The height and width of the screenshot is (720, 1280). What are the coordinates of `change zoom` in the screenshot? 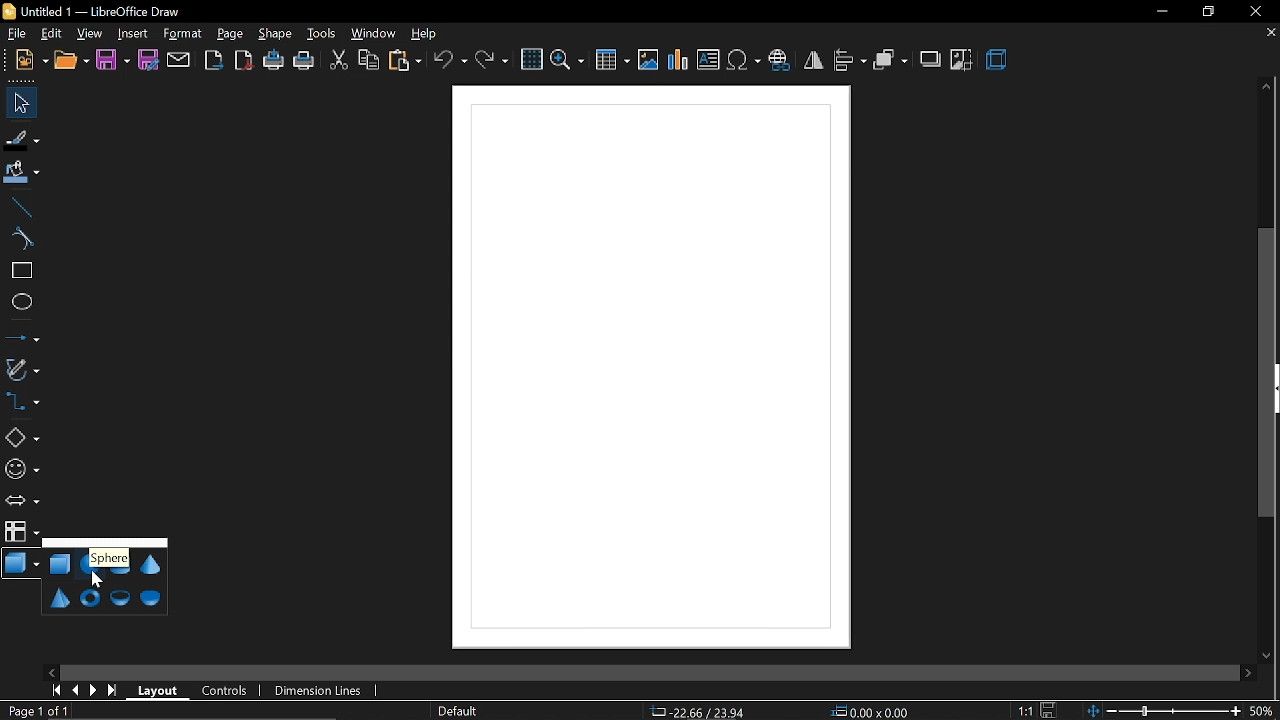 It's located at (1164, 712).